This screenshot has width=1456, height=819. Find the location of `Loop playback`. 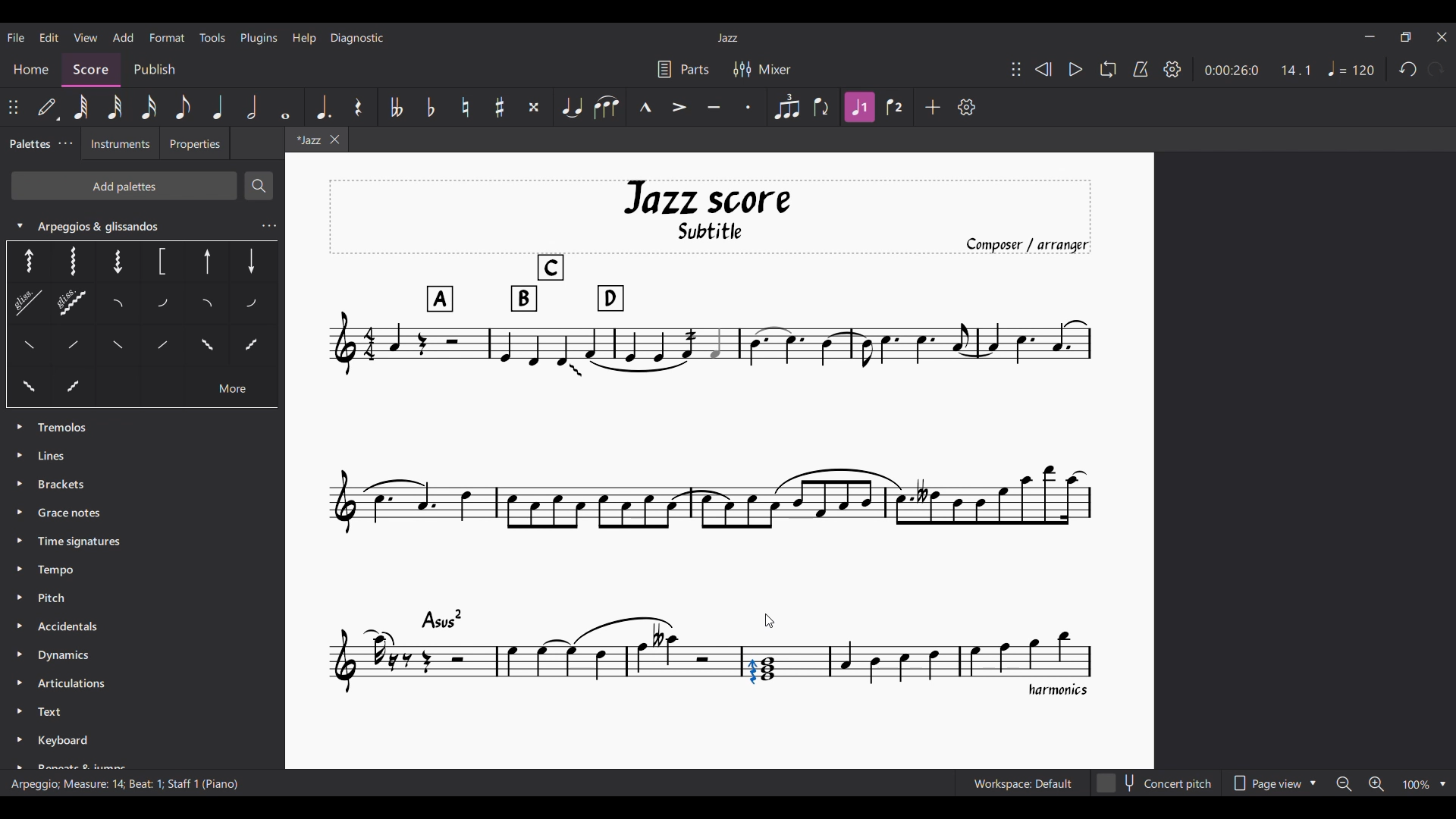

Loop playback is located at coordinates (1109, 69).